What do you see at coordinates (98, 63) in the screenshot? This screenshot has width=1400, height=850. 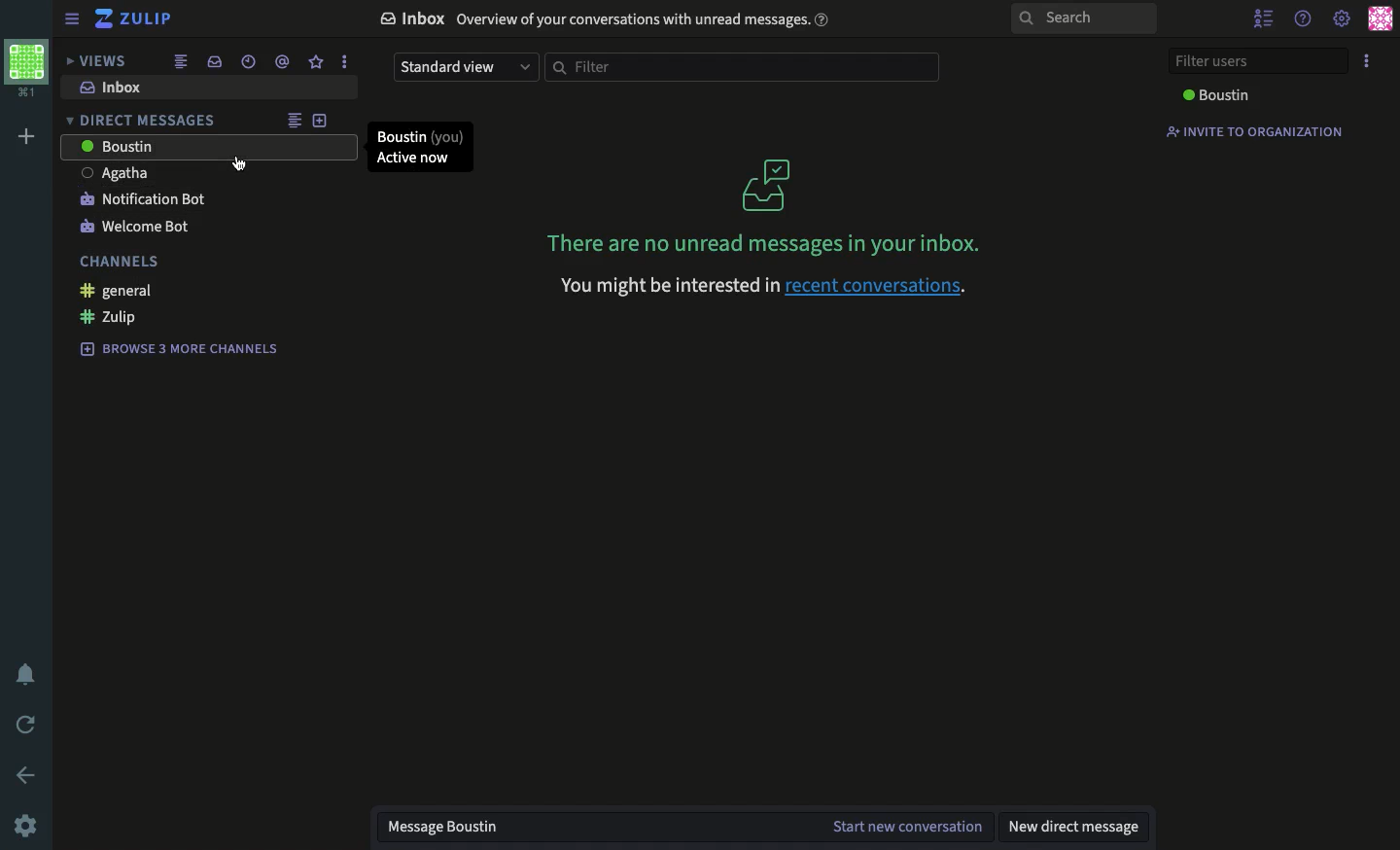 I see `views` at bounding box center [98, 63].